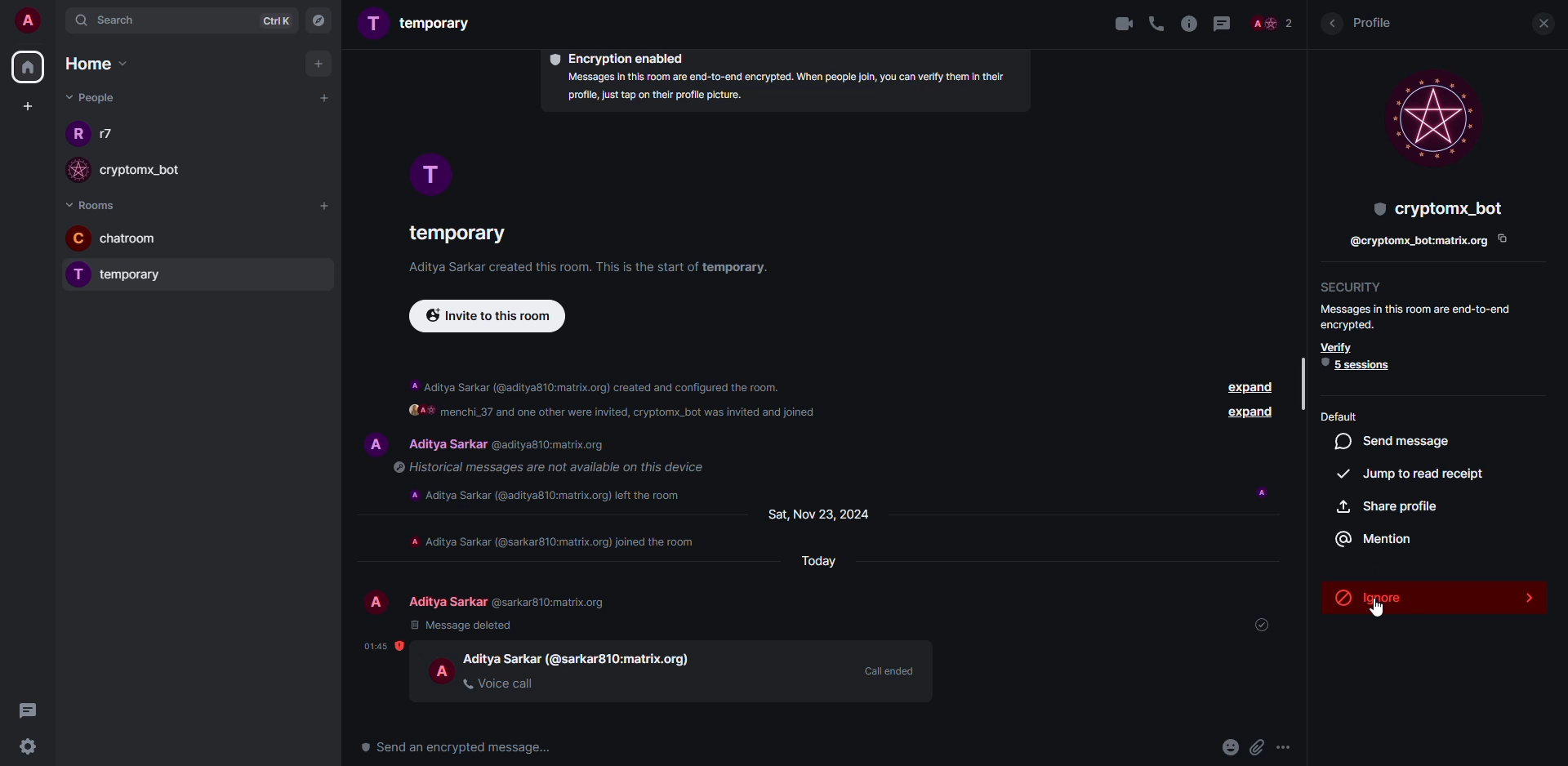 The height and width of the screenshot is (766, 1568). Describe the element at coordinates (1389, 597) in the screenshot. I see `ignore` at that location.